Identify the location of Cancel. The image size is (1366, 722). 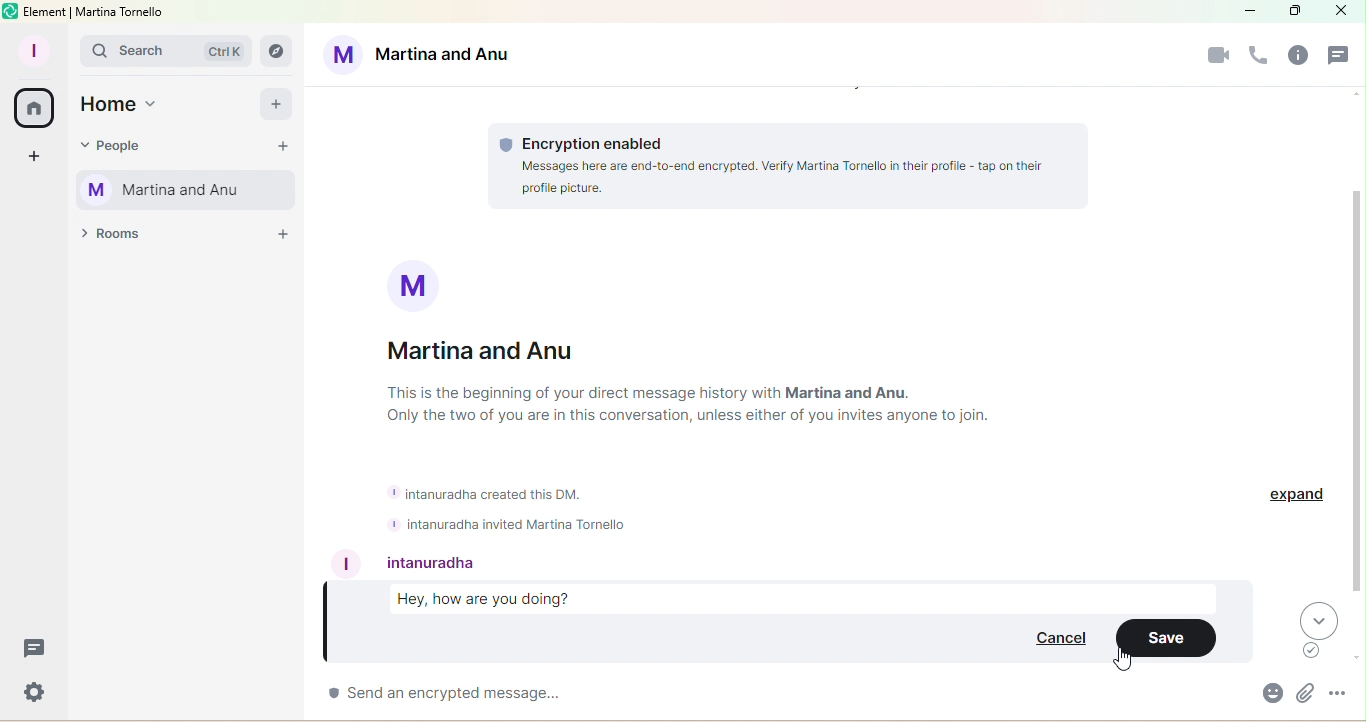
(1056, 641).